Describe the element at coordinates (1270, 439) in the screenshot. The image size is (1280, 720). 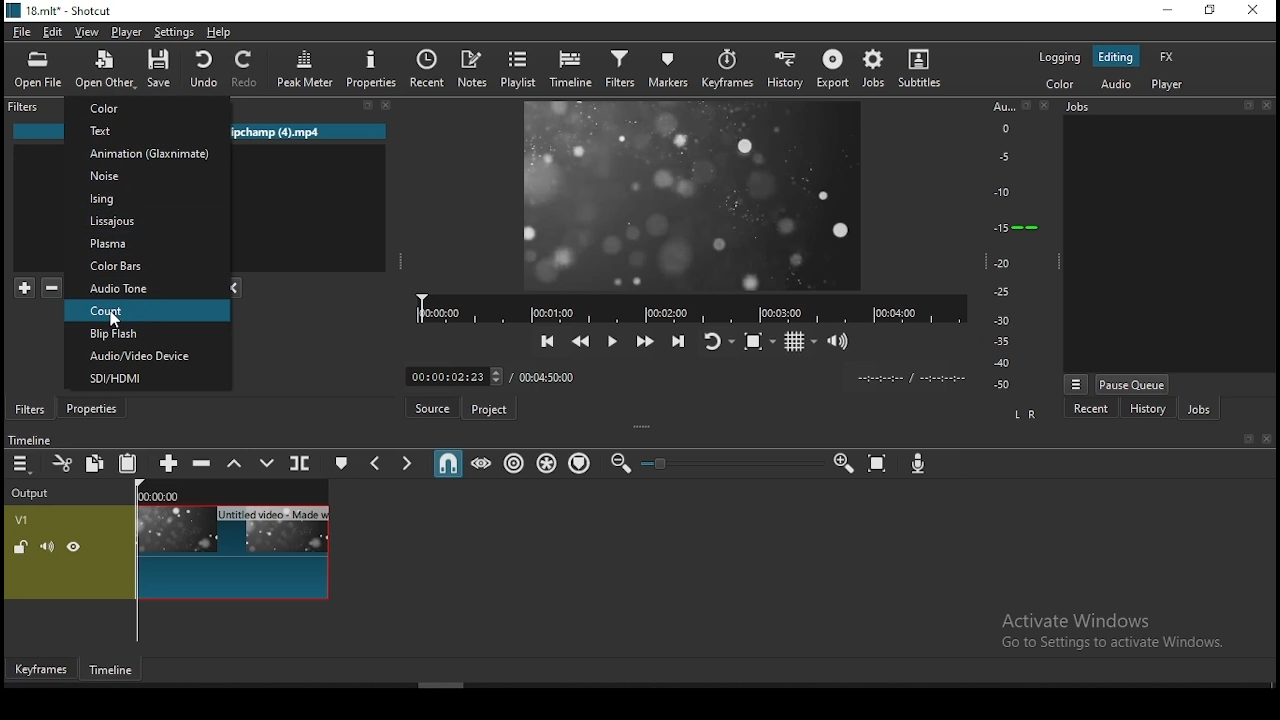
I see `Close` at that location.